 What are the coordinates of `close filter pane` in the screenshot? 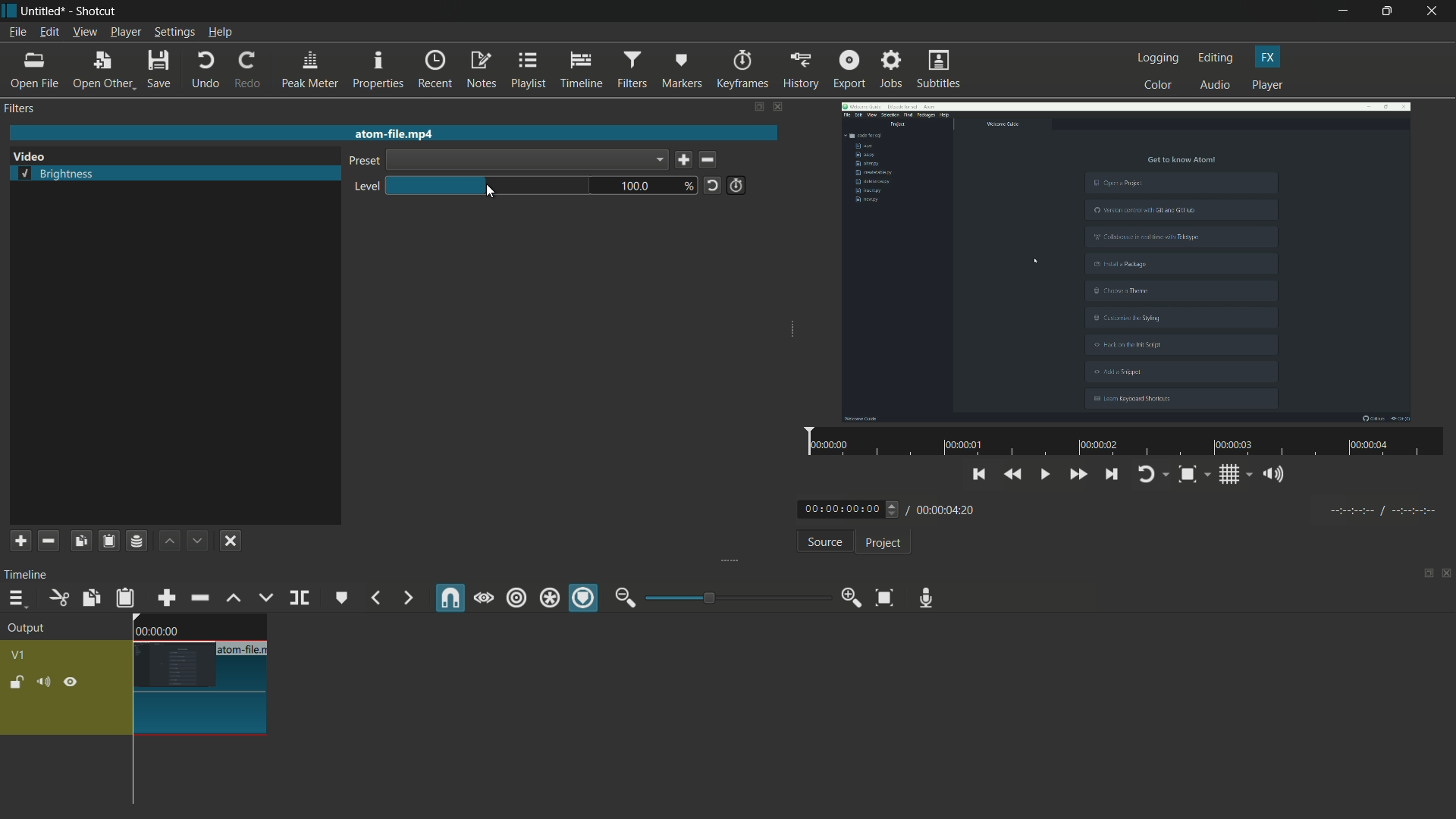 It's located at (780, 108).